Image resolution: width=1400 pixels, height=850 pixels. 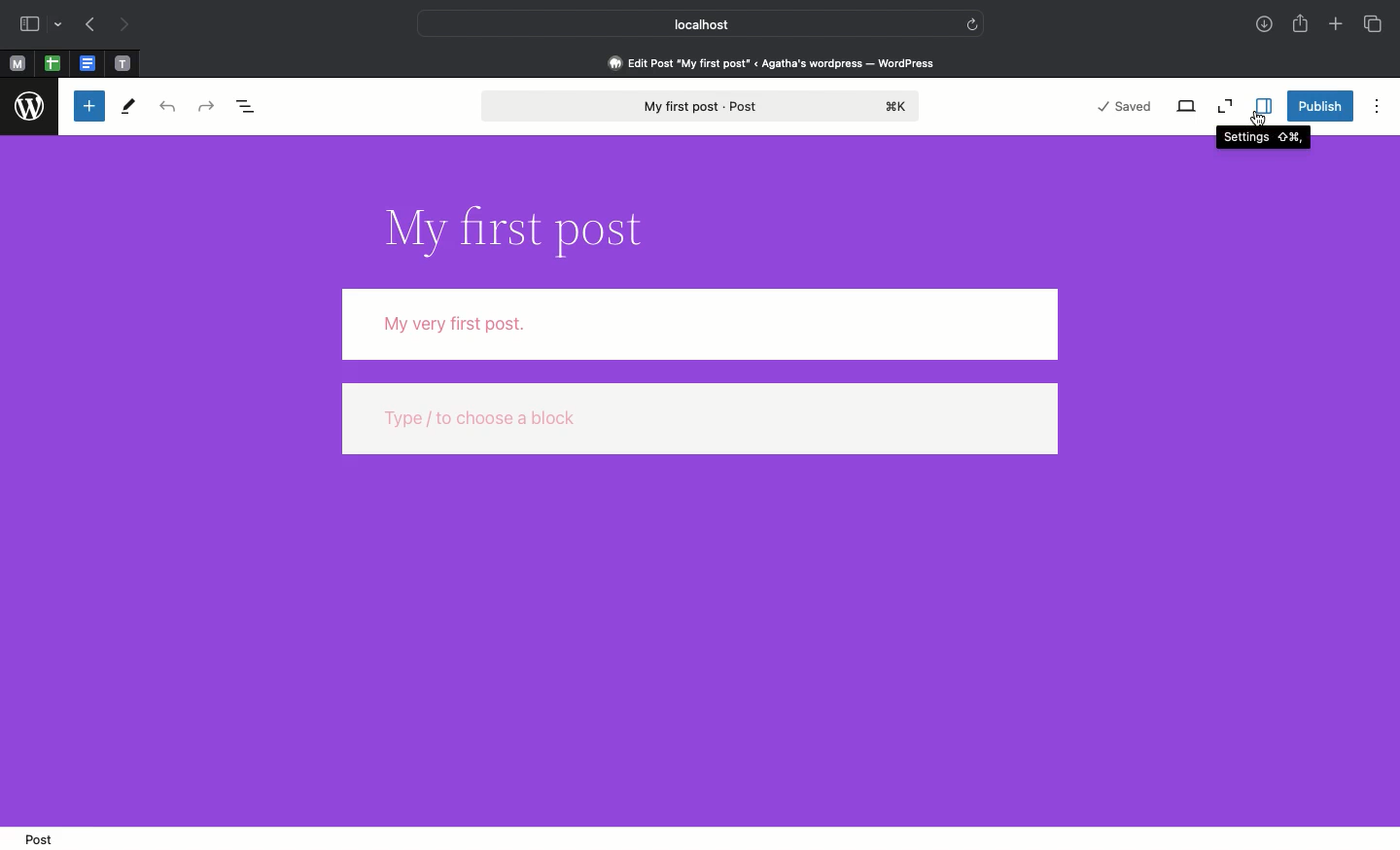 I want to click on My first post, so click(x=704, y=107).